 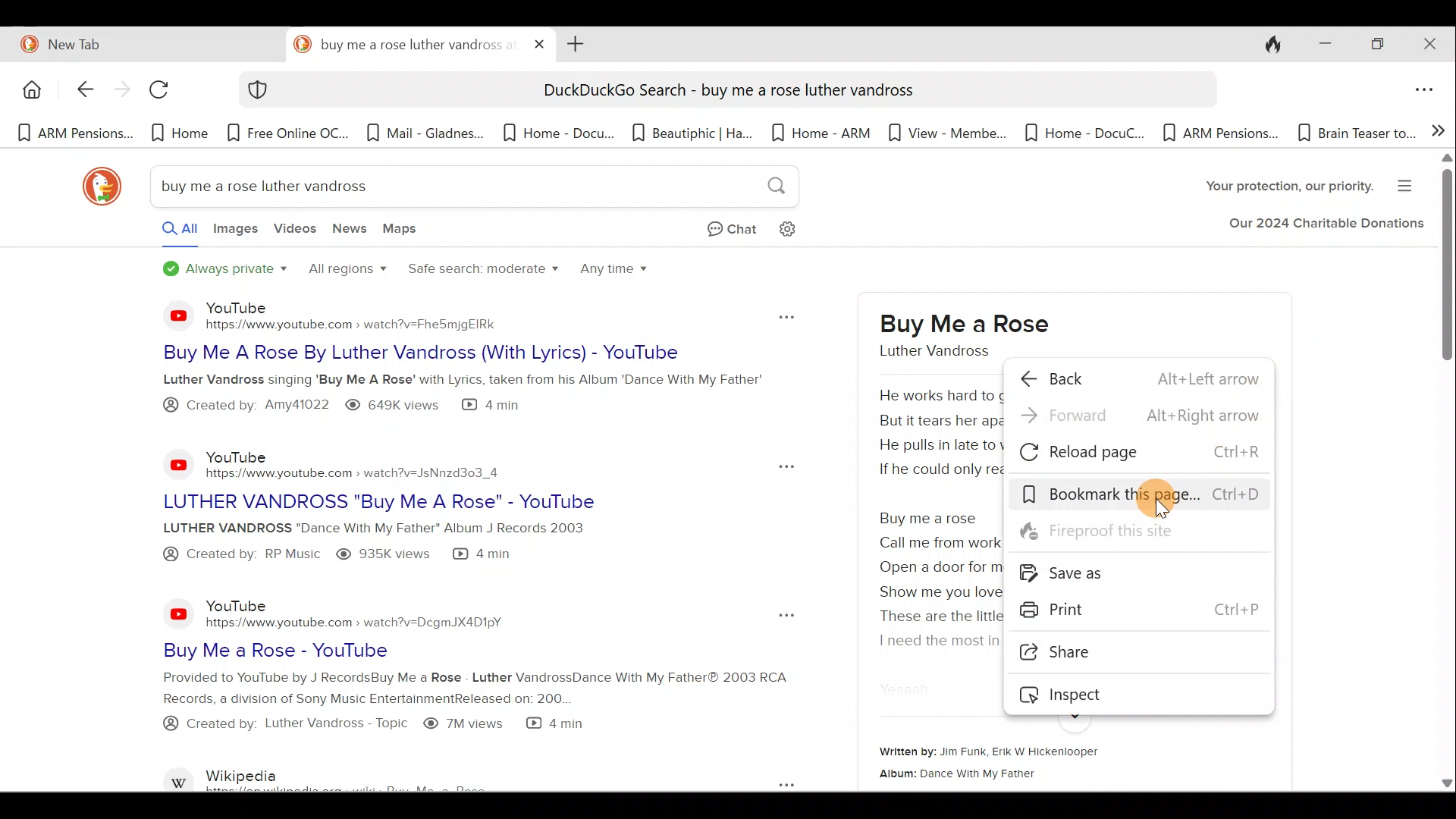 I want to click on Pop out, so click(x=782, y=616).